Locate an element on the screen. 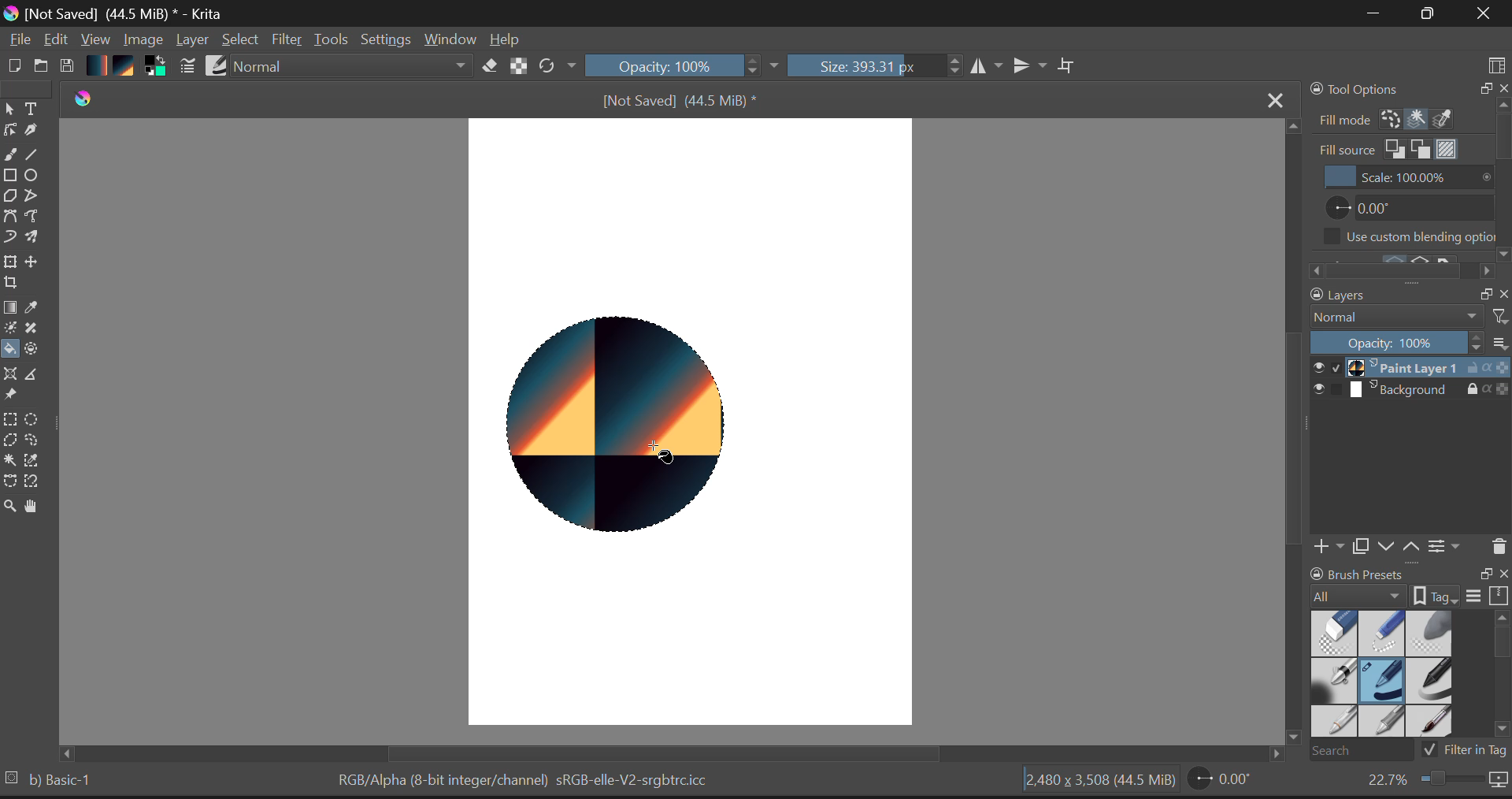 Image resolution: width=1512 pixels, height=799 pixels. Select is located at coordinates (243, 40).